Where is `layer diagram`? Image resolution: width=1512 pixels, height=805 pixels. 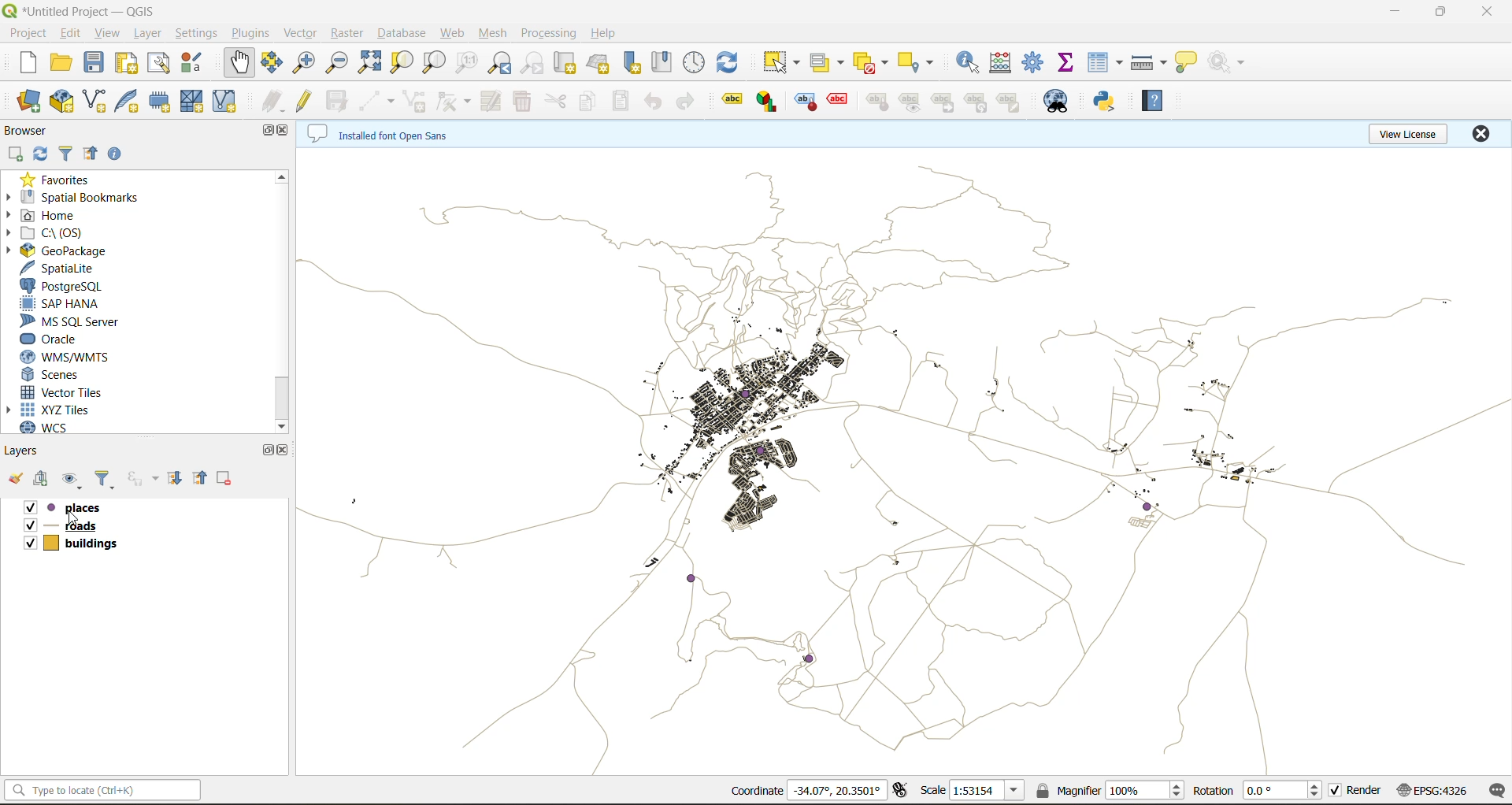 layer diagram is located at coordinates (769, 99).